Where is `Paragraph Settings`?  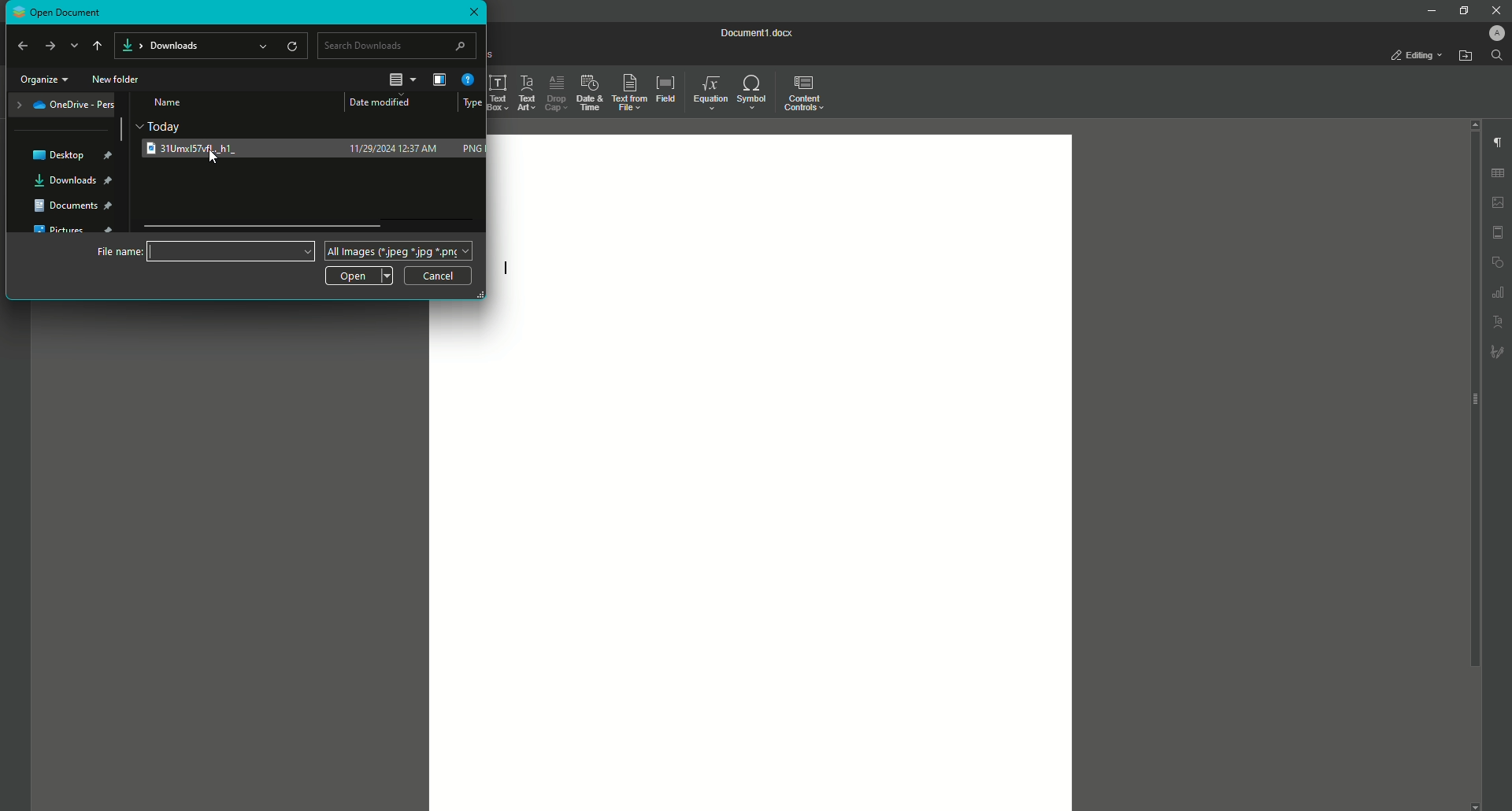
Paragraph Settings is located at coordinates (1499, 143).